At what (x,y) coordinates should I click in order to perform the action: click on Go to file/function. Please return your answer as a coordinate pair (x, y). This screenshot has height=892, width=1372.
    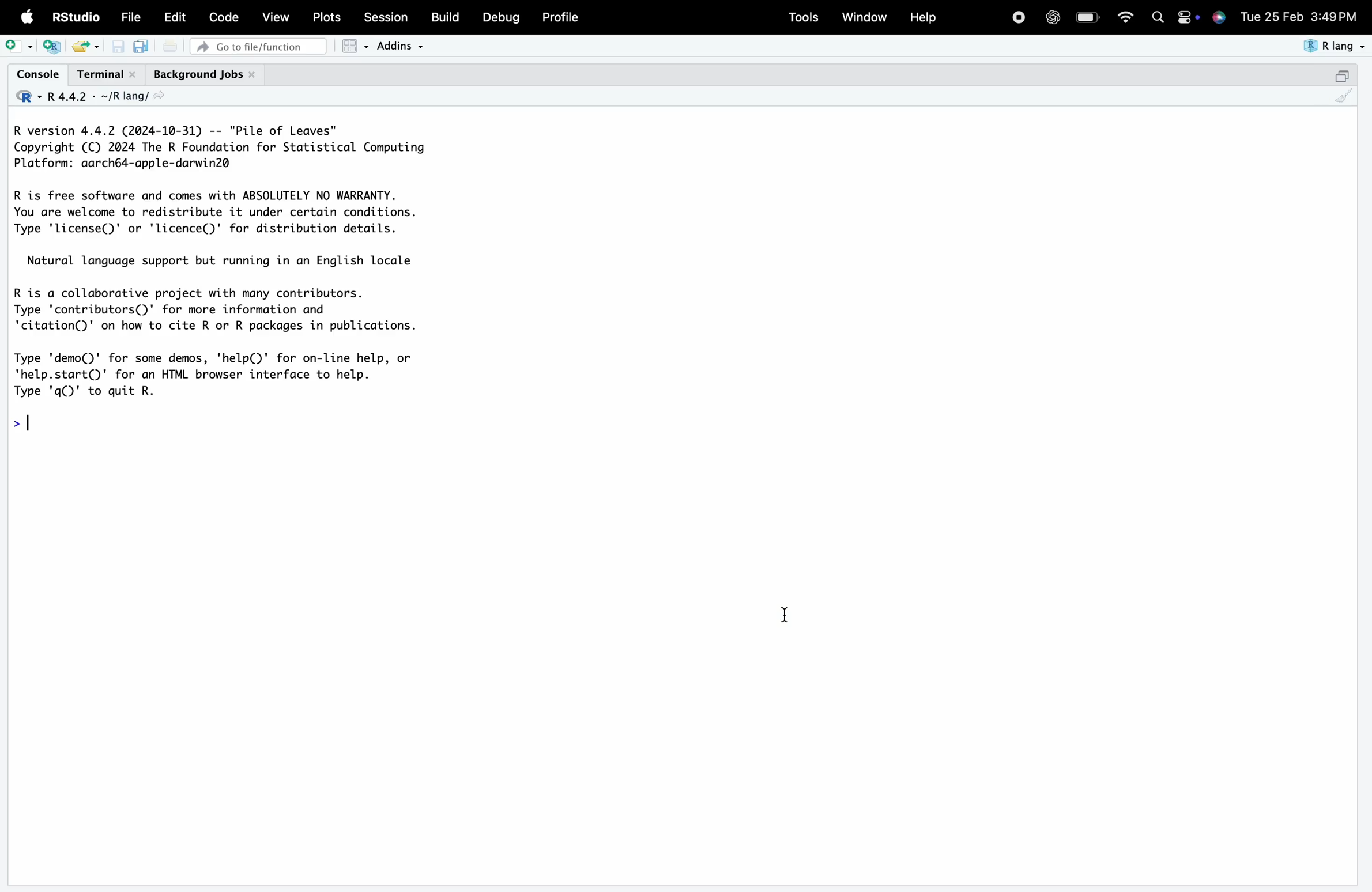
    Looking at the image, I should click on (258, 47).